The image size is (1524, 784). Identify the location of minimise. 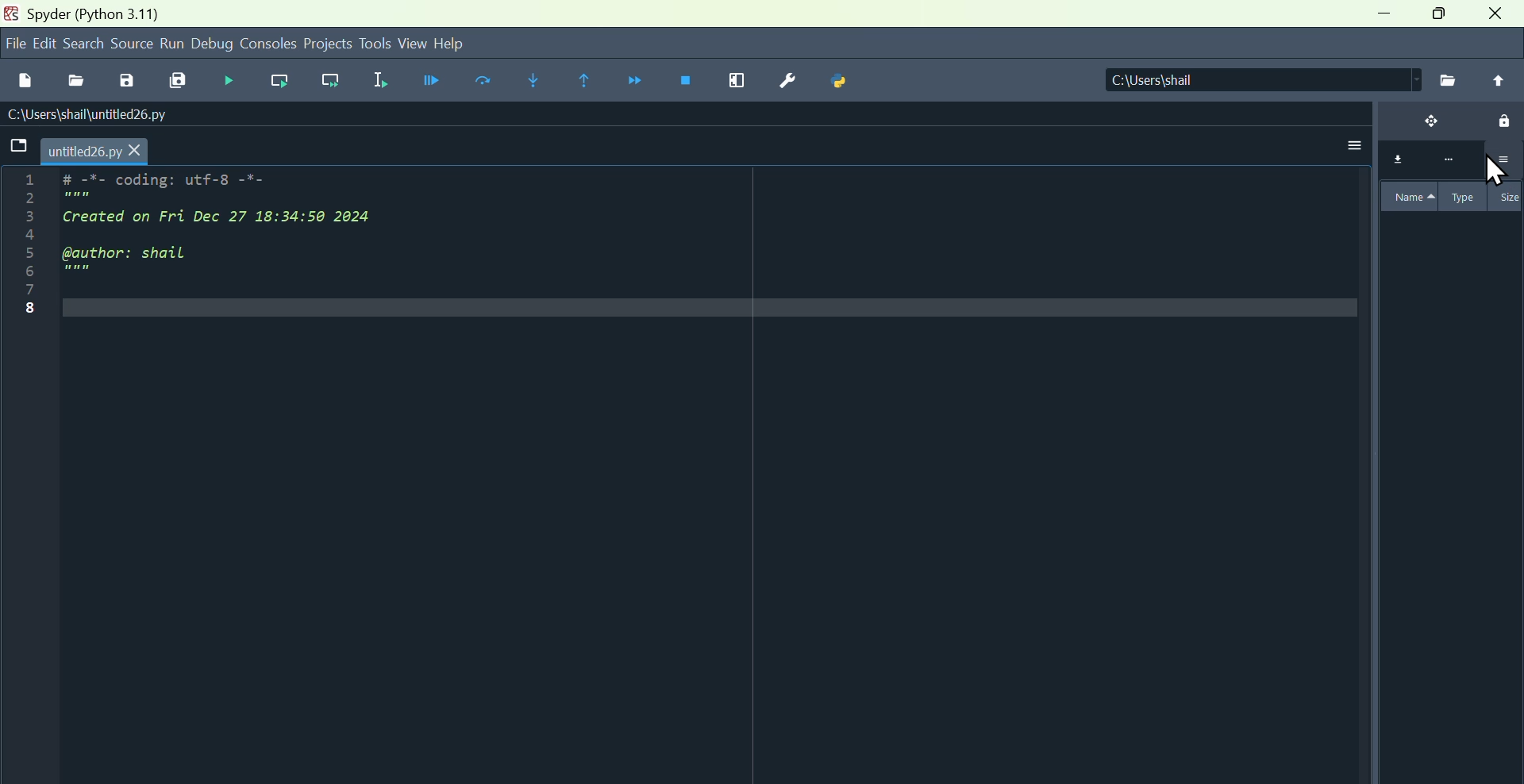
(1379, 19).